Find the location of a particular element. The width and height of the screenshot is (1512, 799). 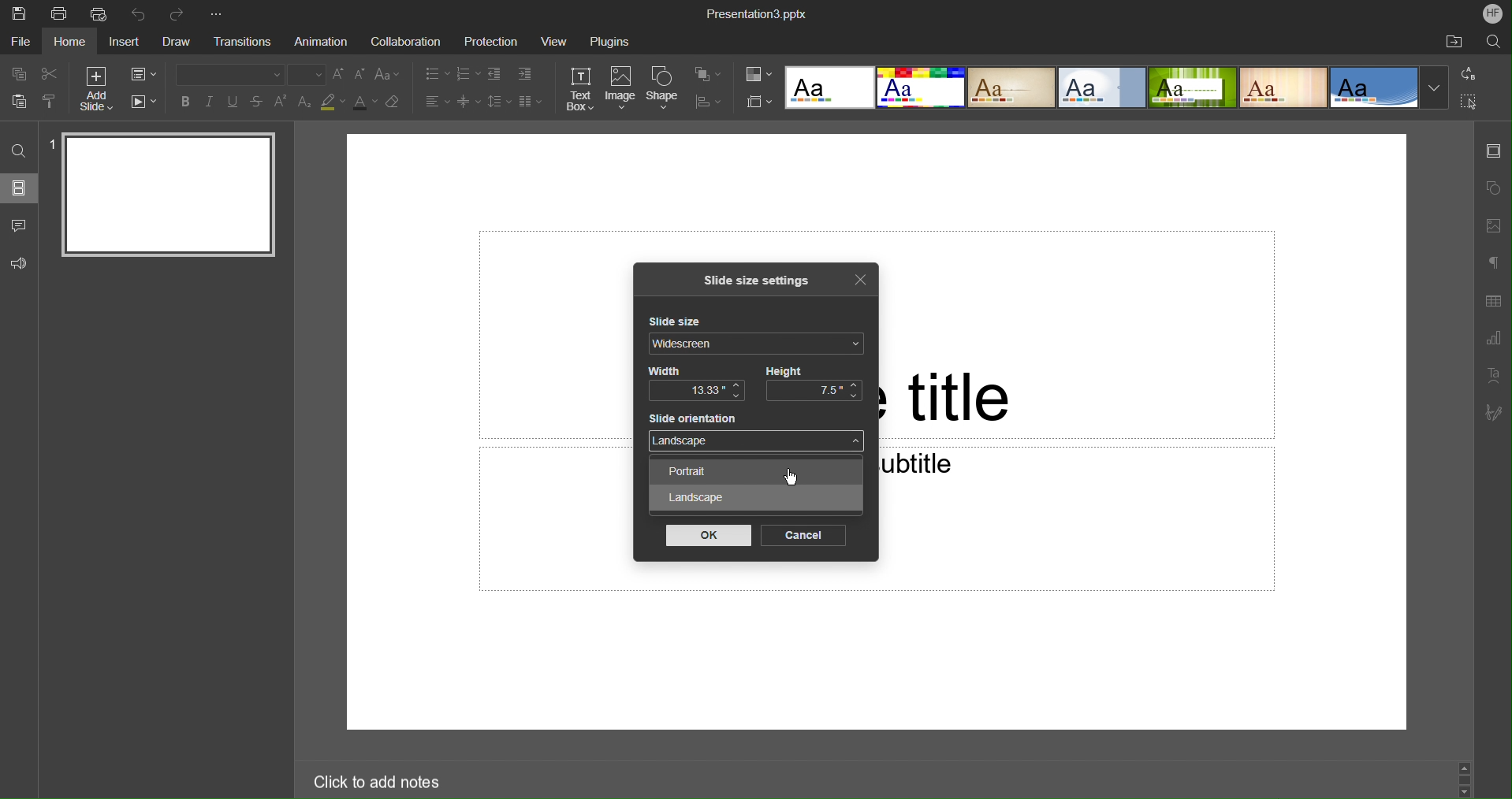

Find is located at coordinates (18, 151).